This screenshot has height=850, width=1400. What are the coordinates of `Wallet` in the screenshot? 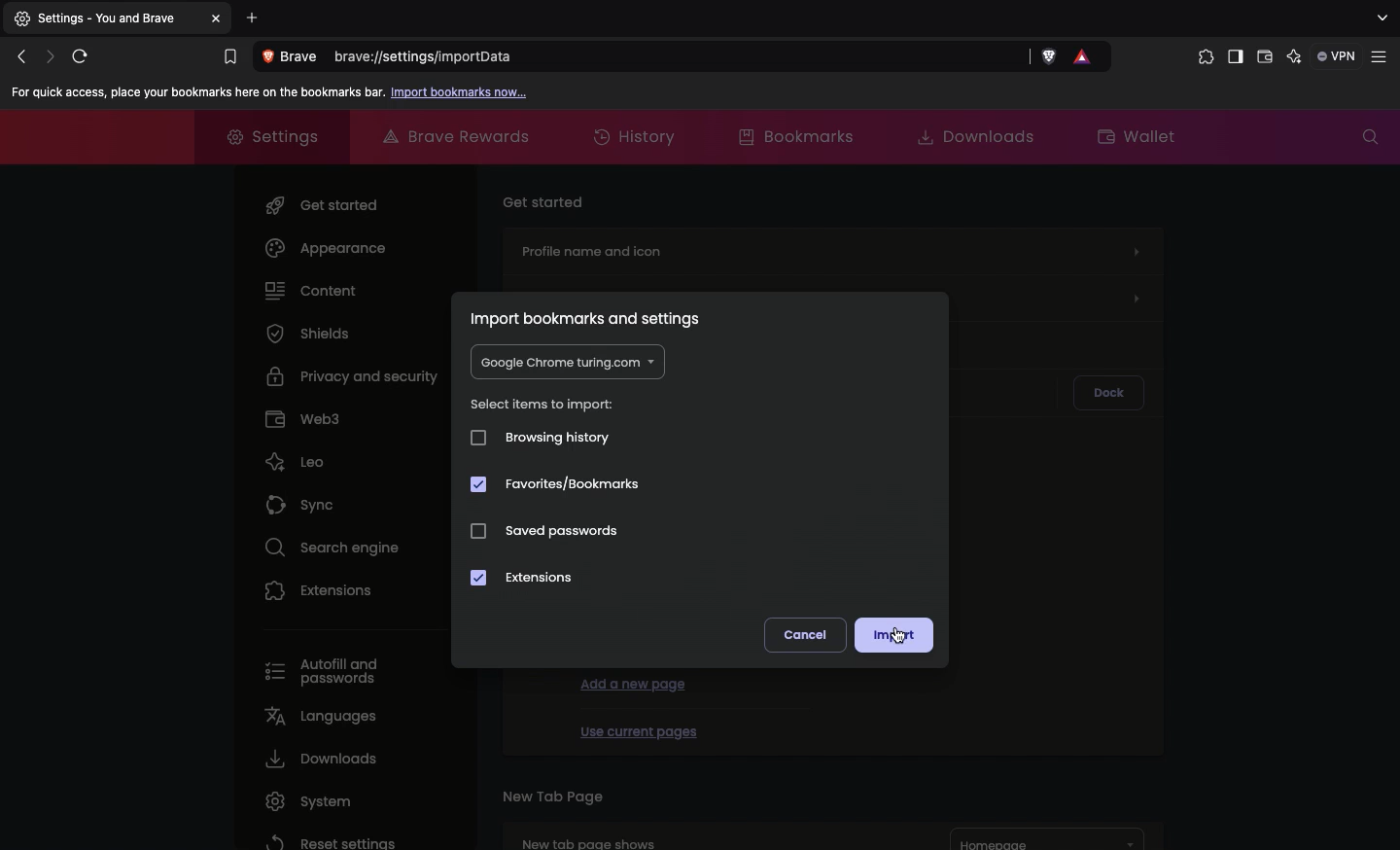 It's located at (1138, 134).